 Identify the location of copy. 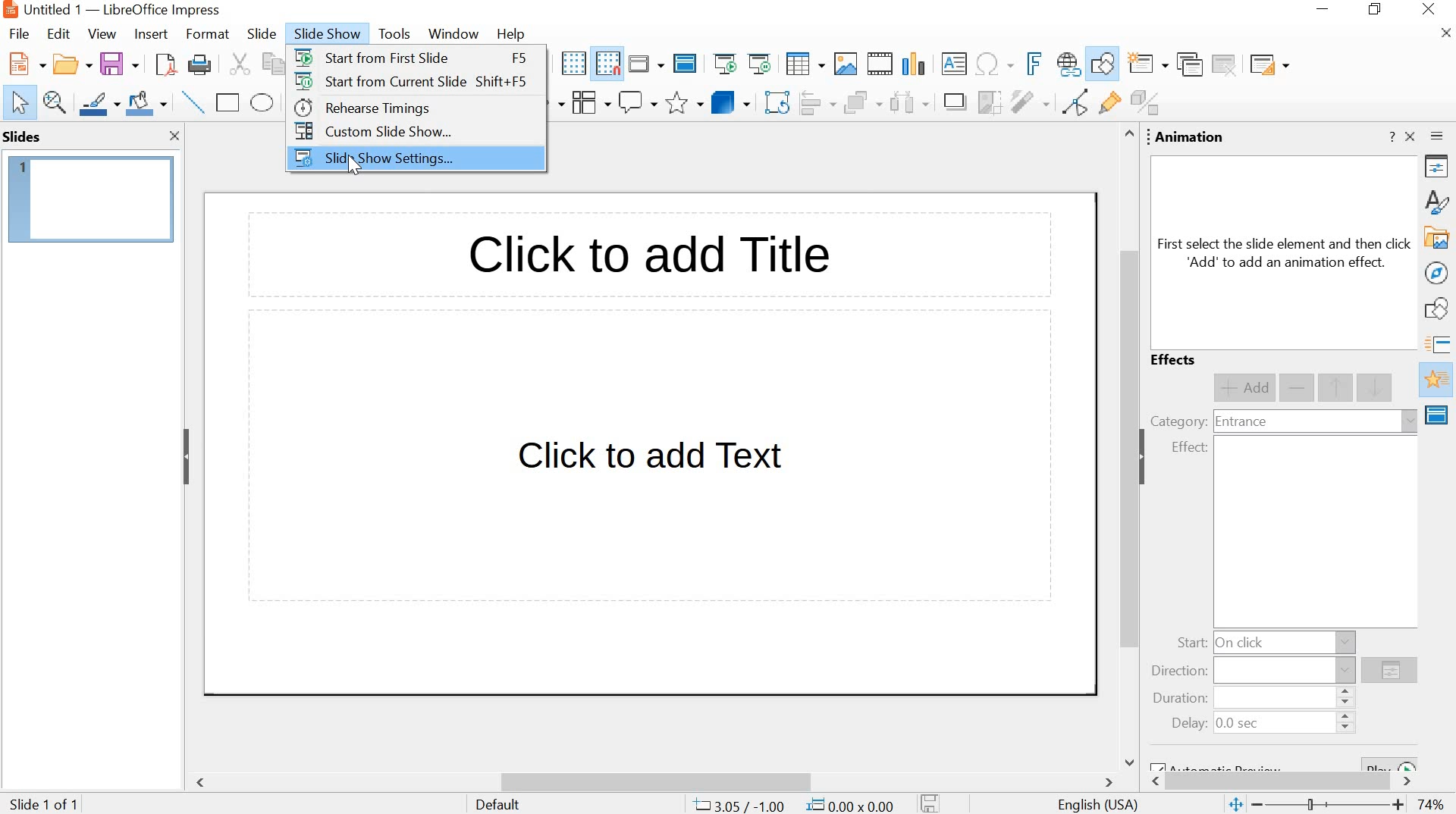
(270, 64).